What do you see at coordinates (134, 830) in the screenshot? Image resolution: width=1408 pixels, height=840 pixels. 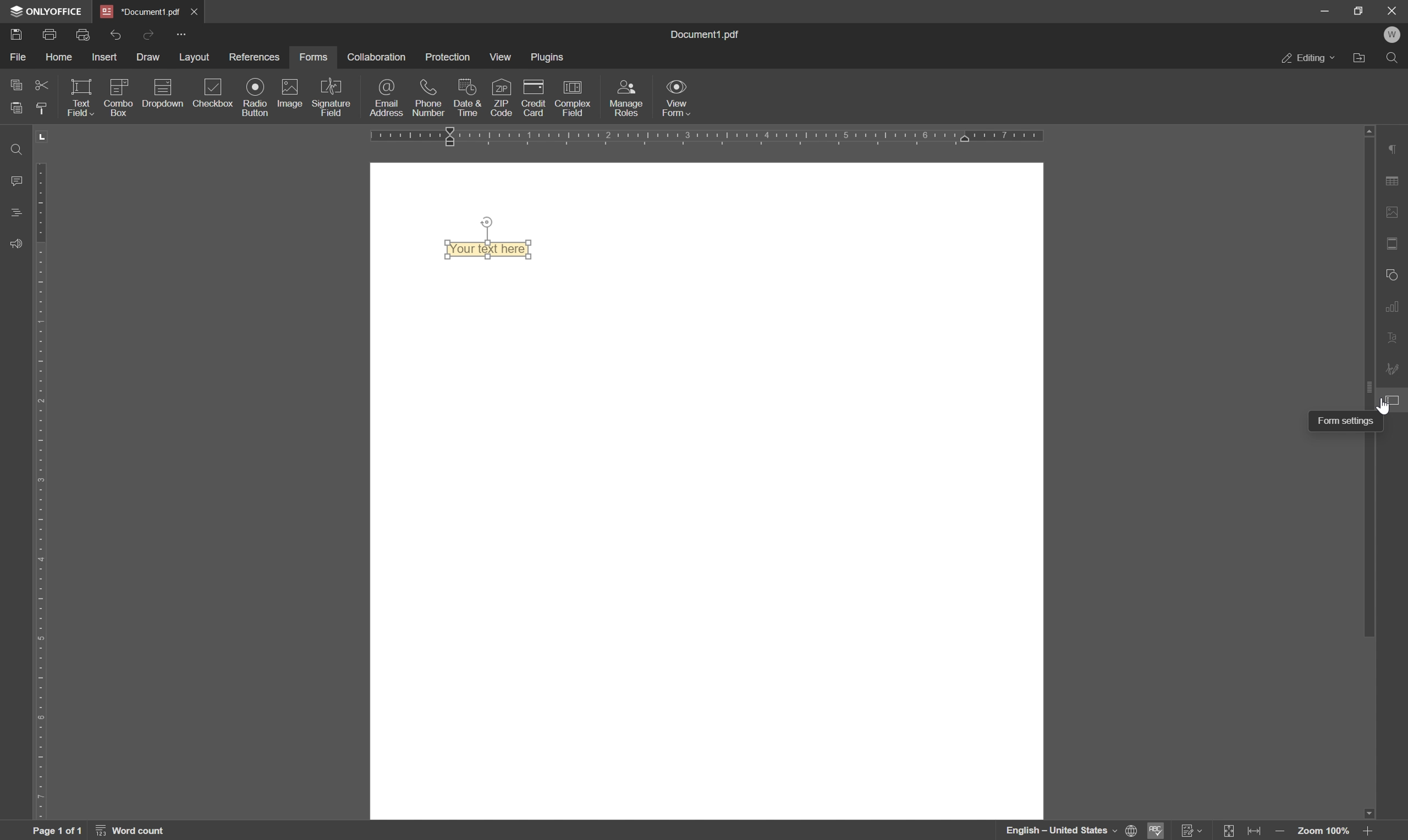 I see `word count` at bounding box center [134, 830].